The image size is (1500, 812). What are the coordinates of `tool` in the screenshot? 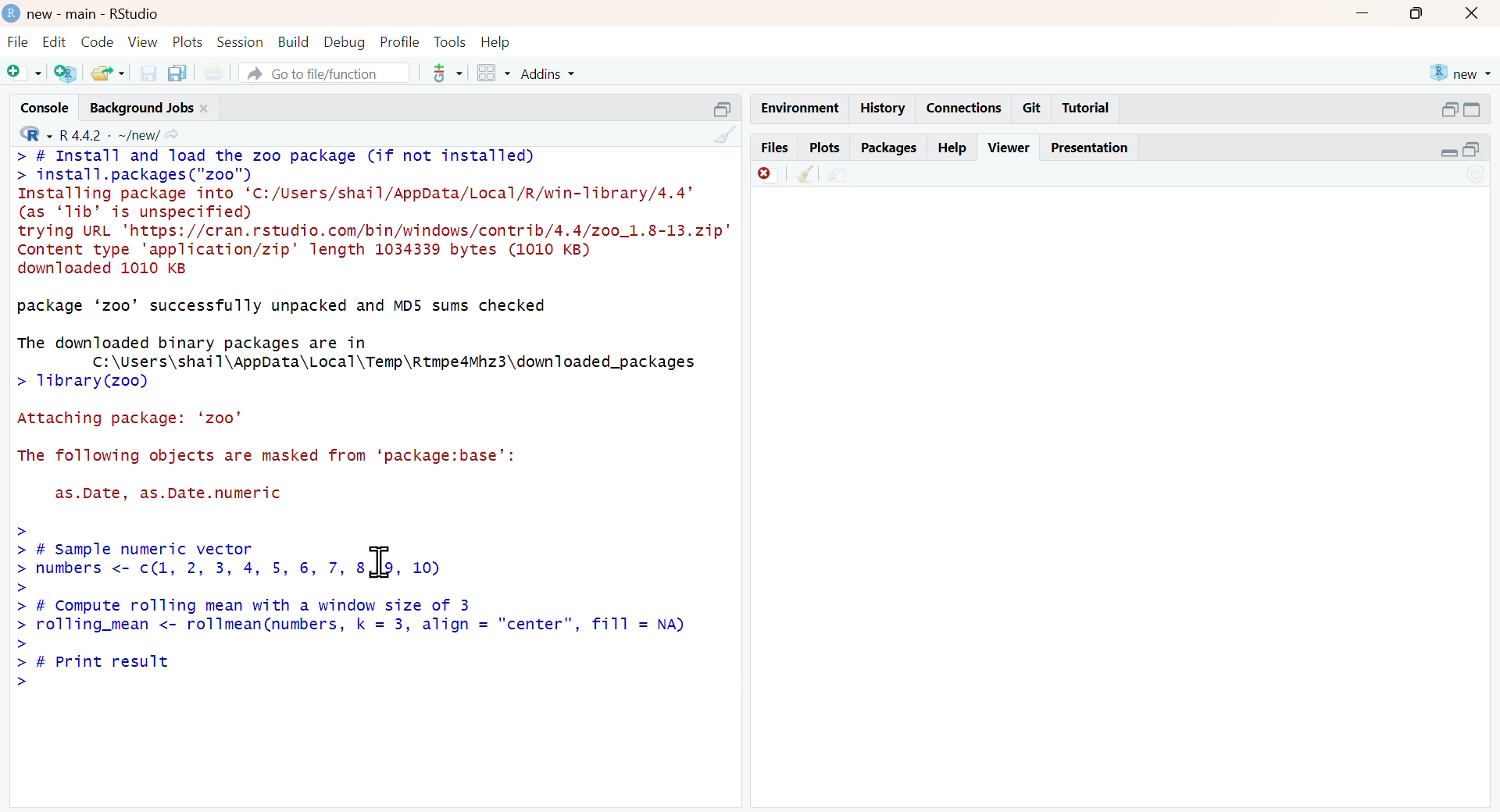 It's located at (448, 73).